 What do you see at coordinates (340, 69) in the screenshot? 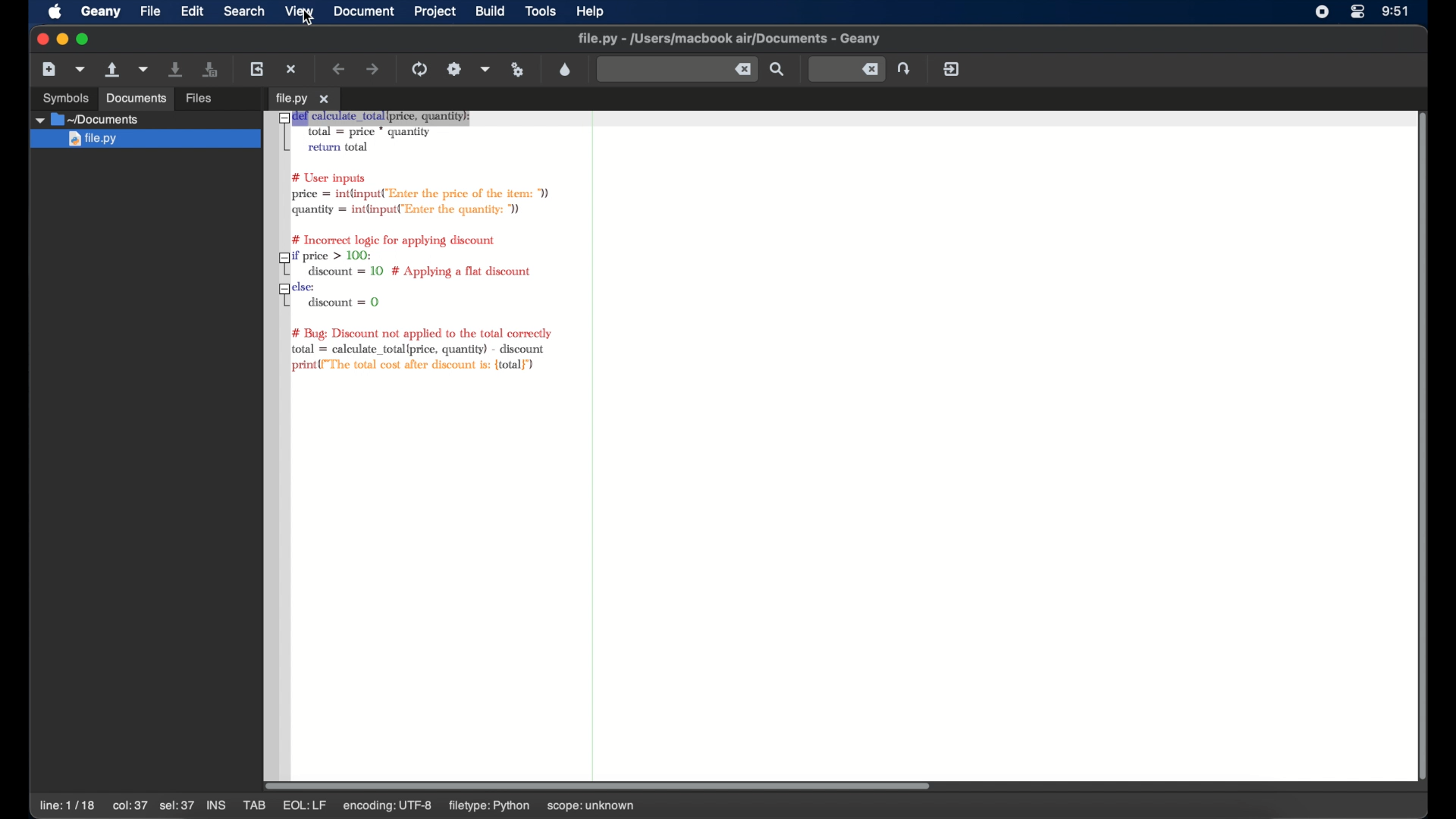
I see `navigate back a  location` at bounding box center [340, 69].